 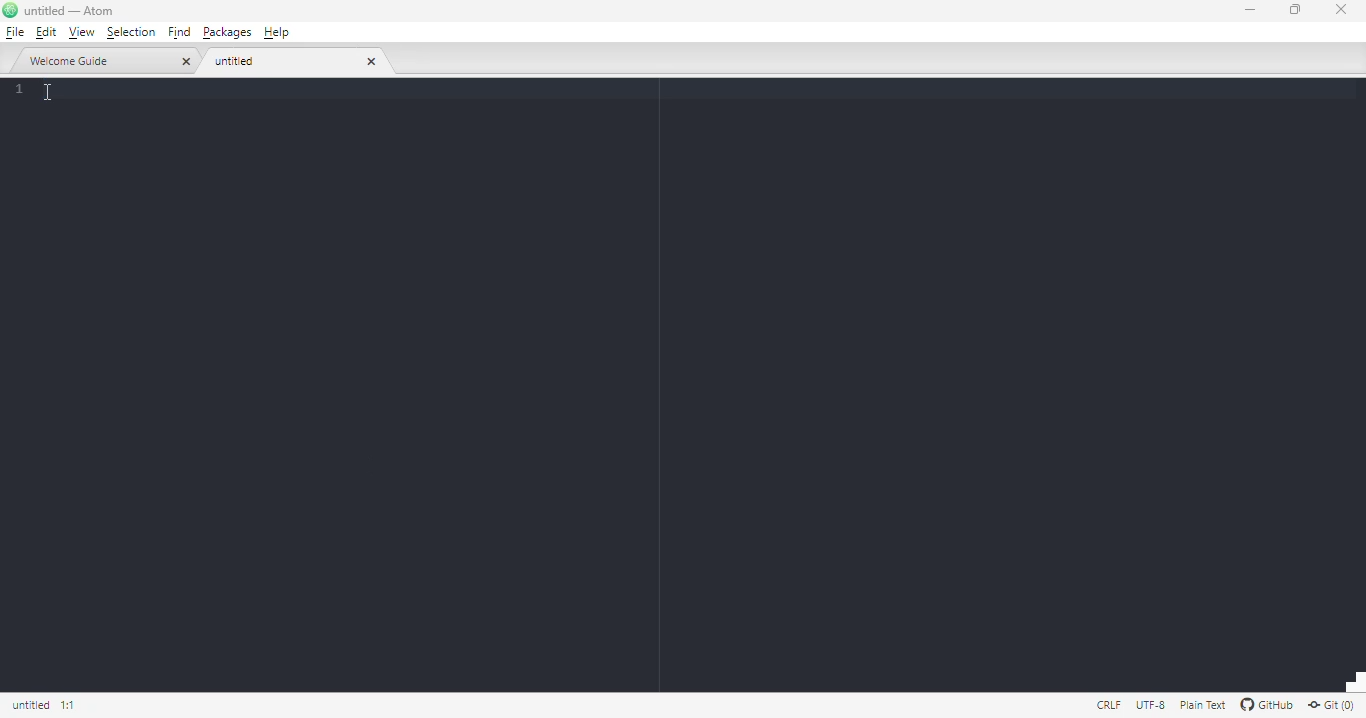 What do you see at coordinates (46, 32) in the screenshot?
I see `edit` at bounding box center [46, 32].